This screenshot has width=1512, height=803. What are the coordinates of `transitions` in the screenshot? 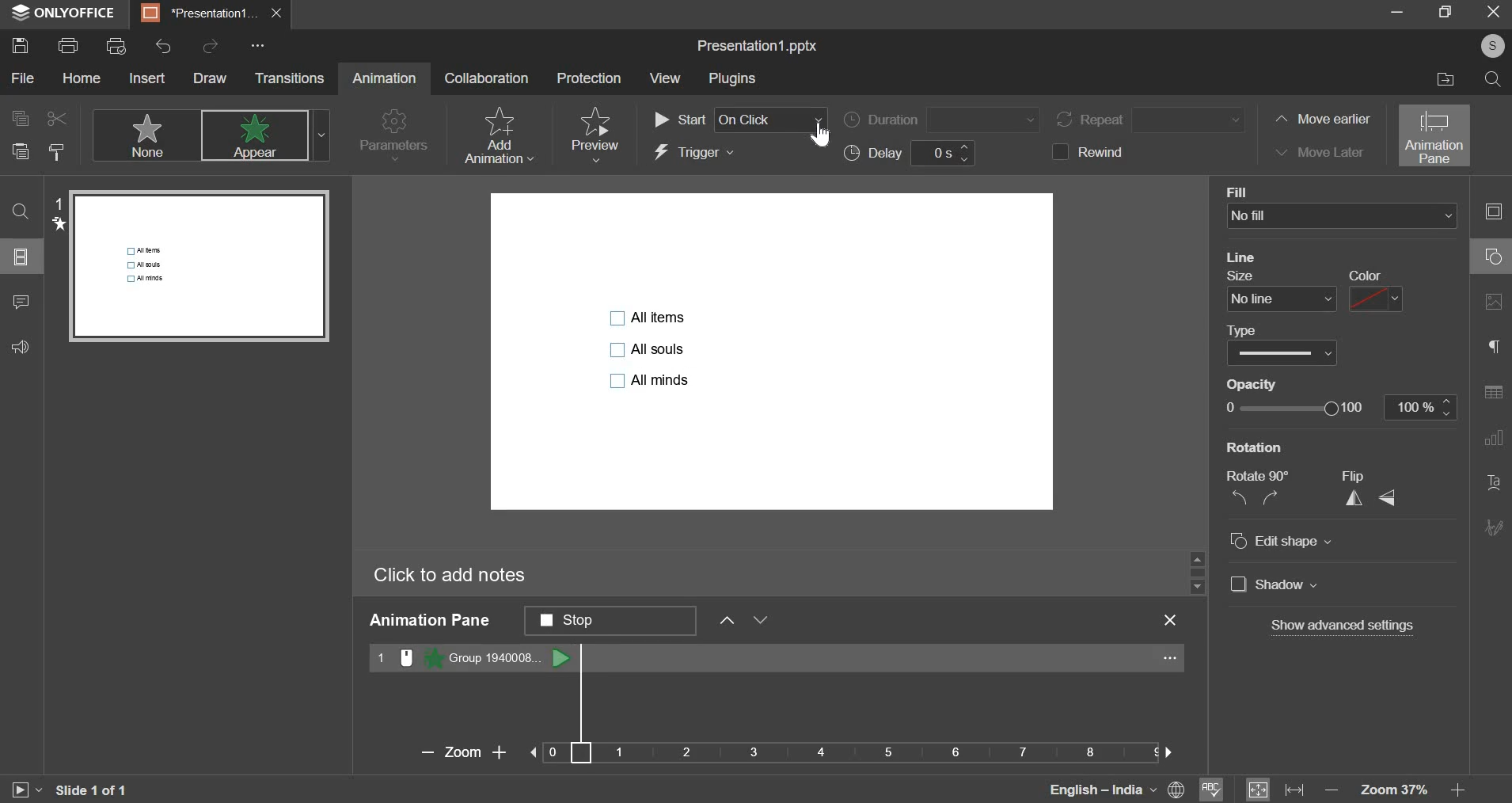 It's located at (289, 78).